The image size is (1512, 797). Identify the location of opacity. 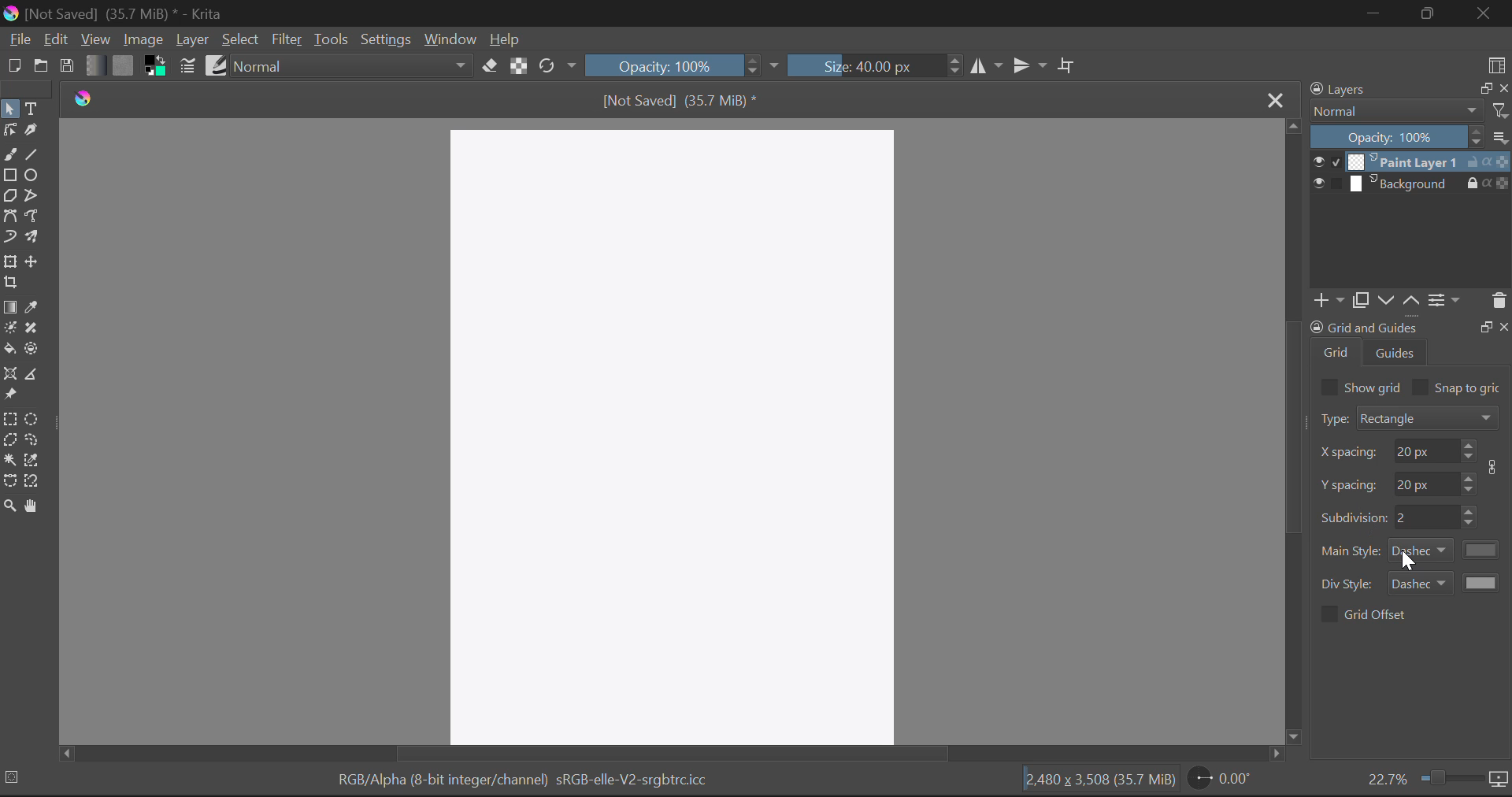
(1397, 136).